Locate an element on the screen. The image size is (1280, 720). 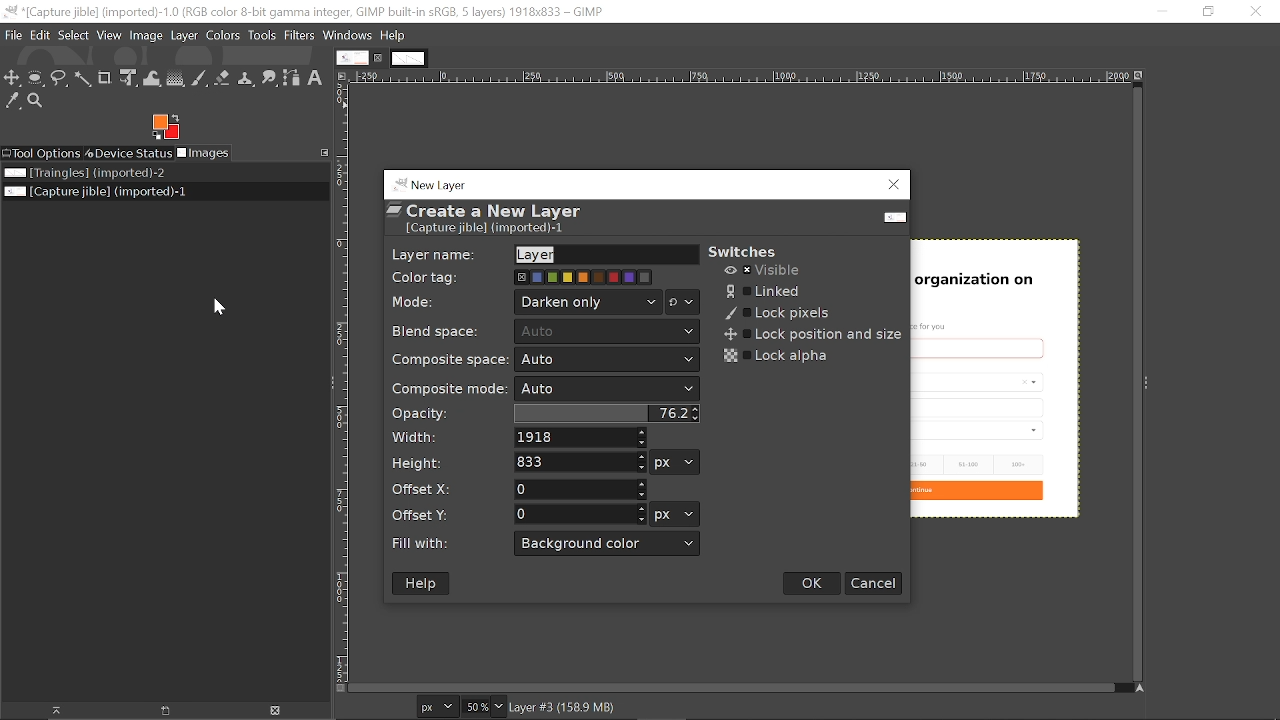
image is located at coordinates (148, 35).